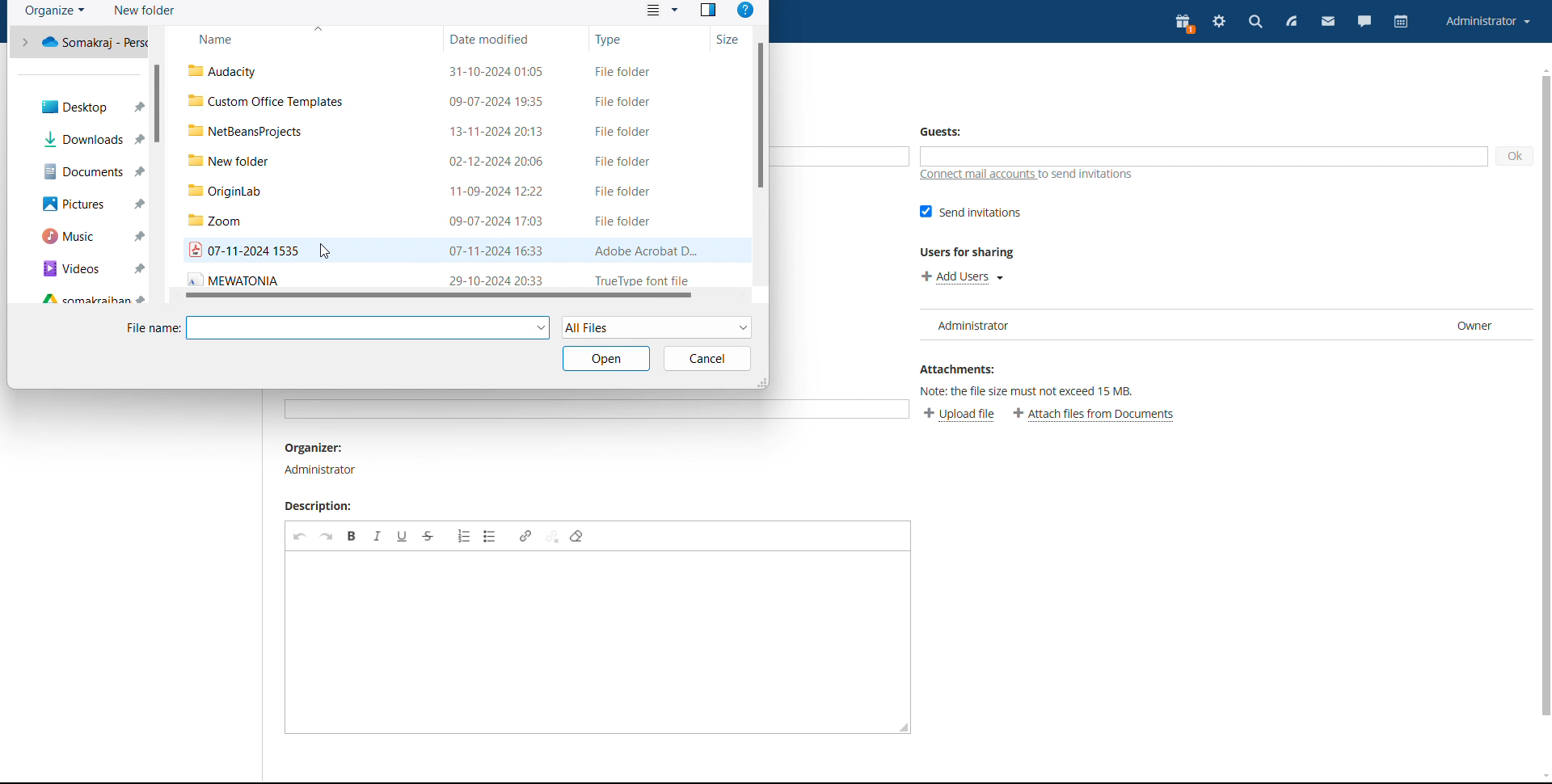 The image size is (1552, 784). I want to click on redo, so click(327, 536).